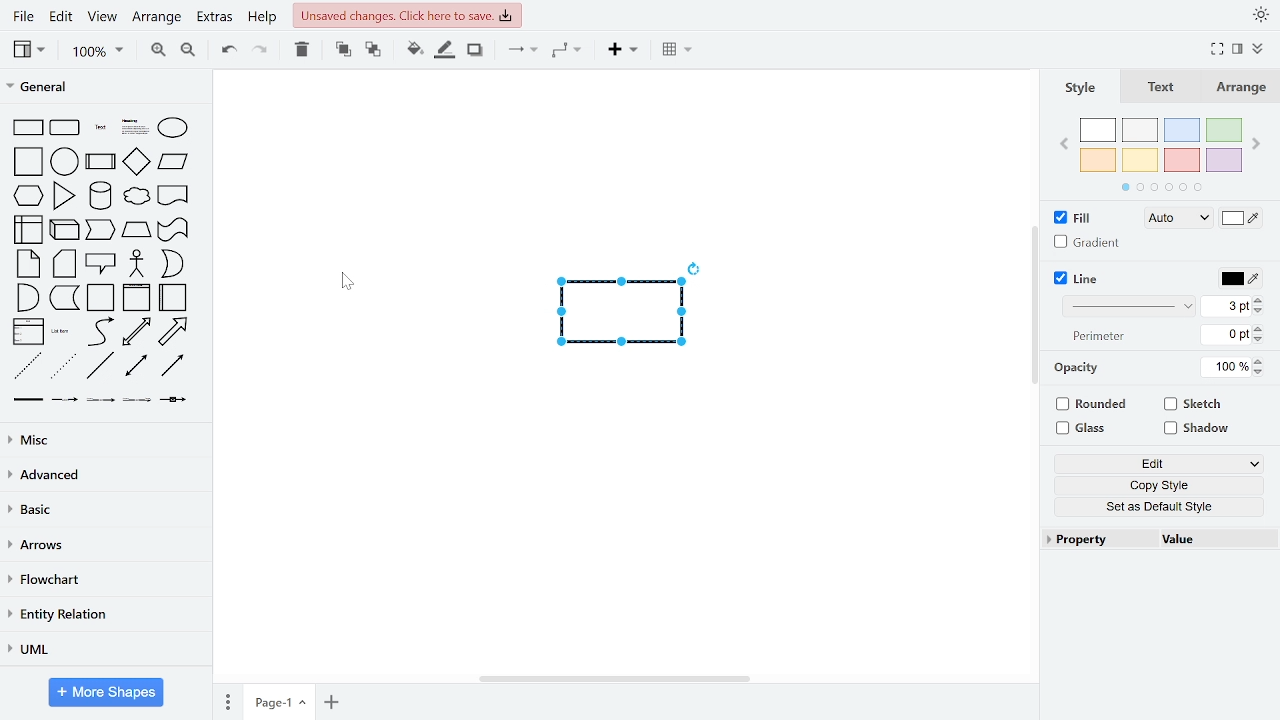 The height and width of the screenshot is (720, 1280). I want to click on increase opacity, so click(1259, 362).